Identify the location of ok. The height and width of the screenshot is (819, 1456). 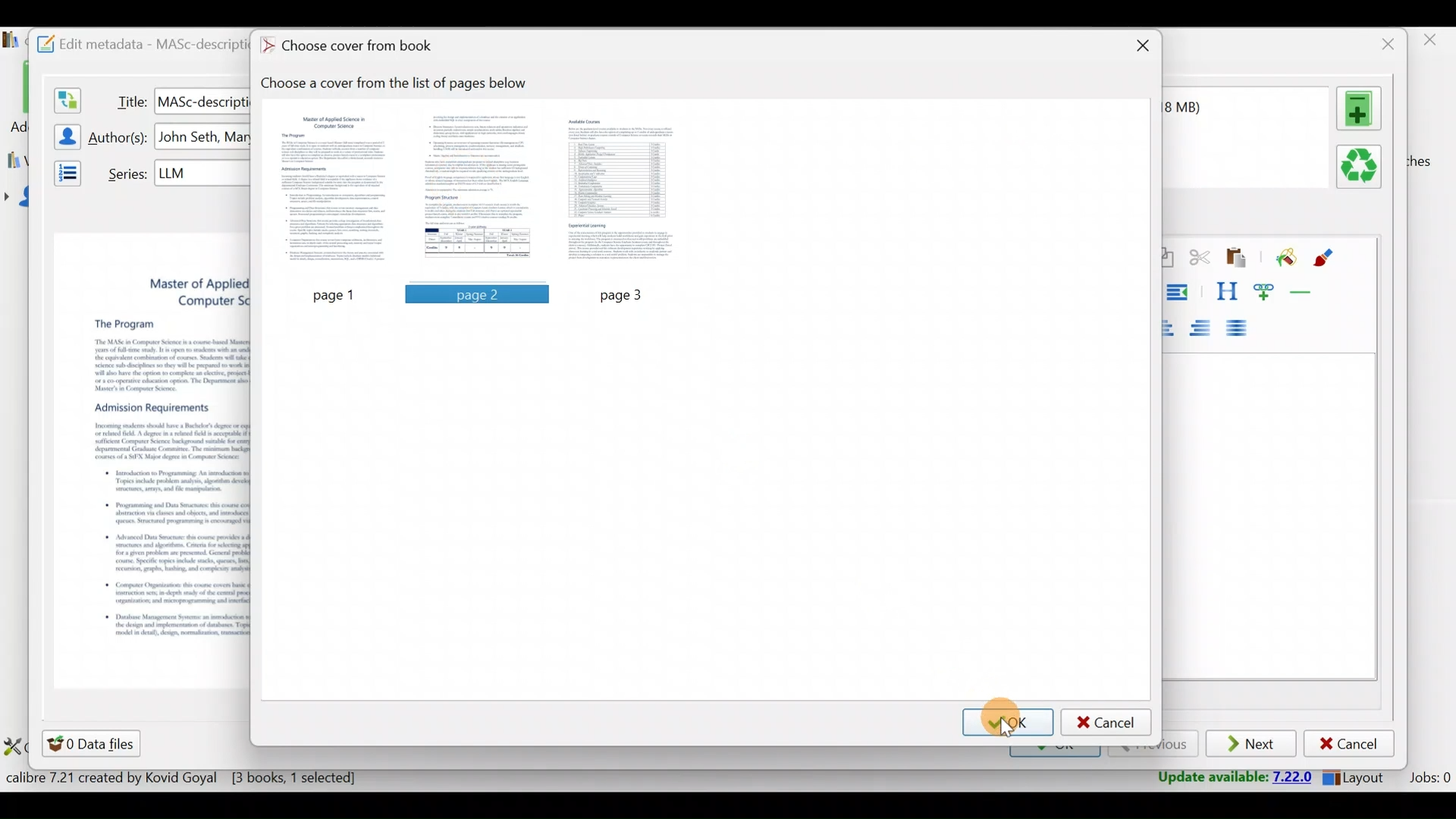
(1009, 721).